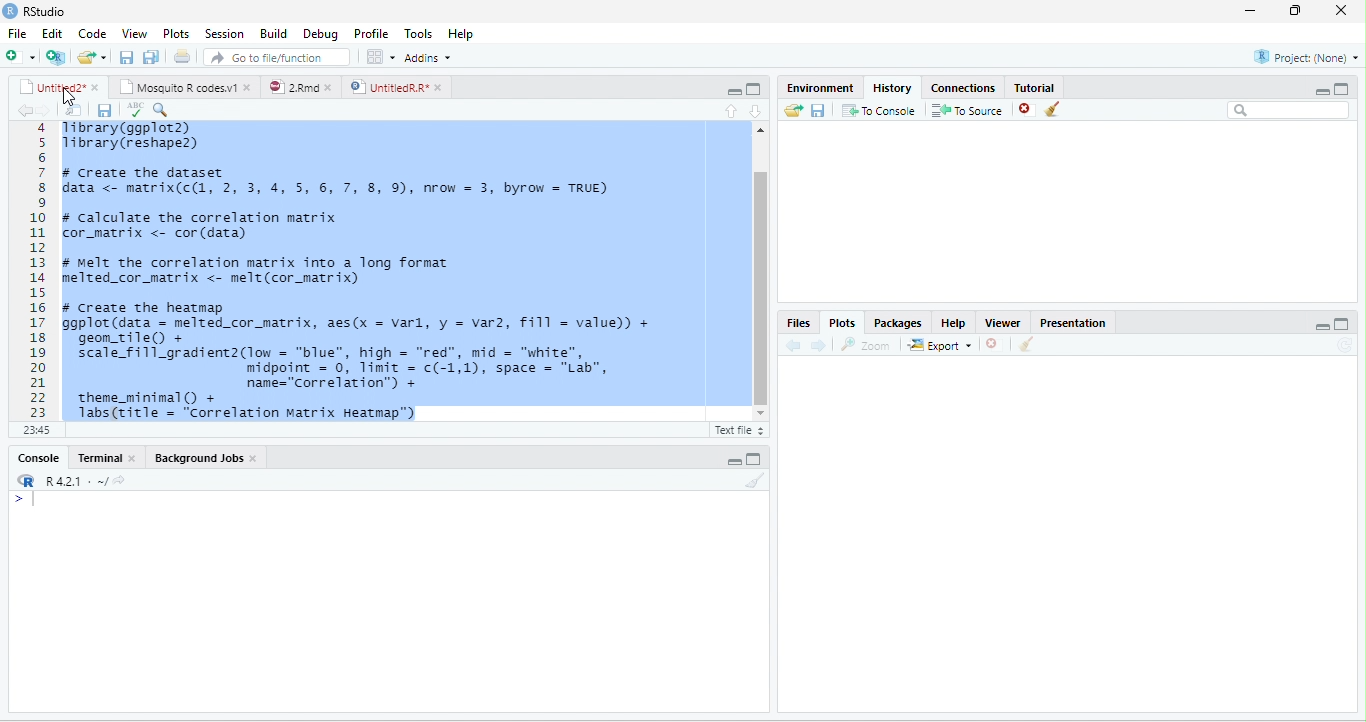 Image resolution: width=1366 pixels, height=722 pixels. What do you see at coordinates (797, 345) in the screenshot?
I see `previous` at bounding box center [797, 345].